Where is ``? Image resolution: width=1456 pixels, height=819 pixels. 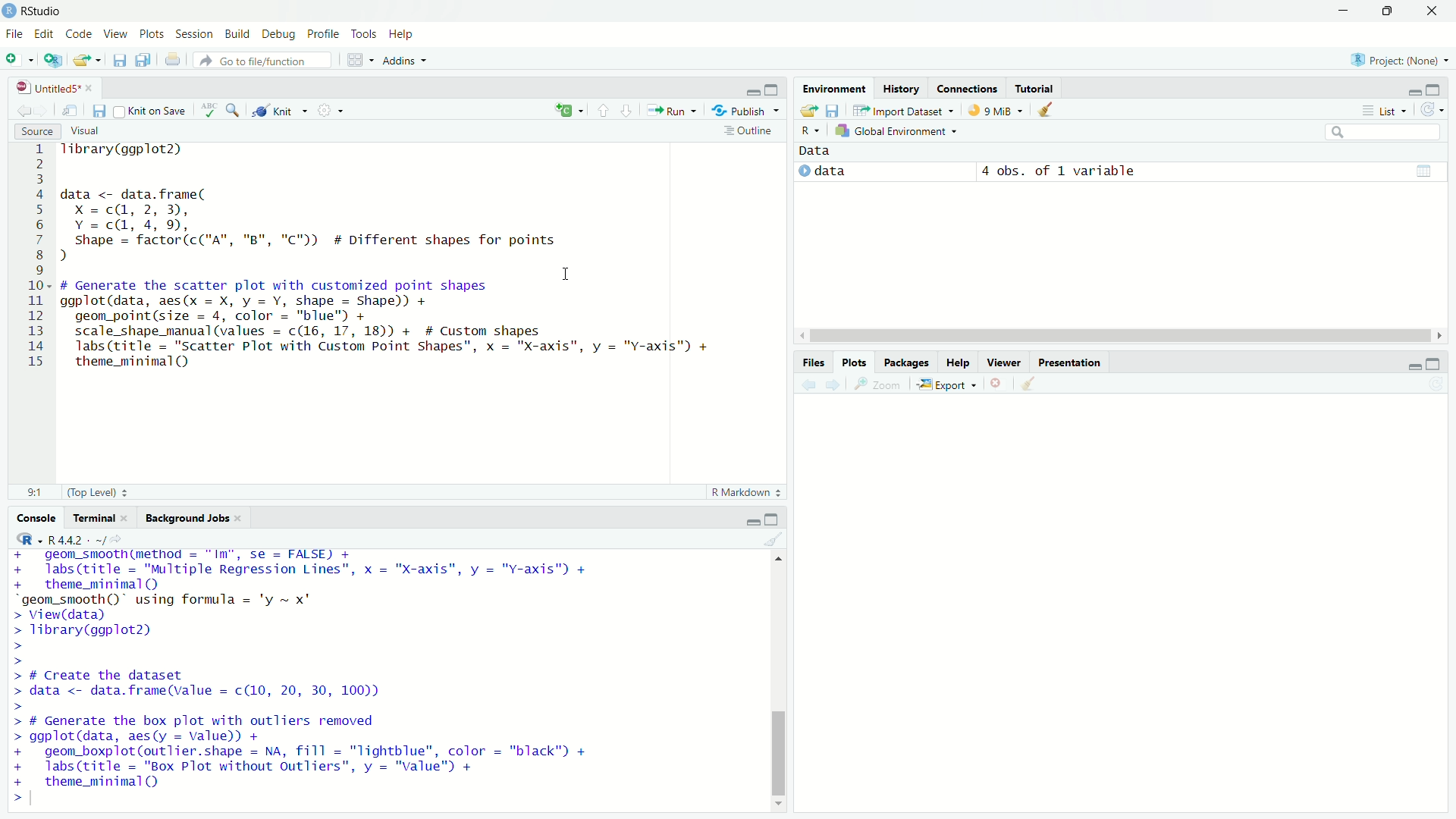
 is located at coordinates (1069, 362).